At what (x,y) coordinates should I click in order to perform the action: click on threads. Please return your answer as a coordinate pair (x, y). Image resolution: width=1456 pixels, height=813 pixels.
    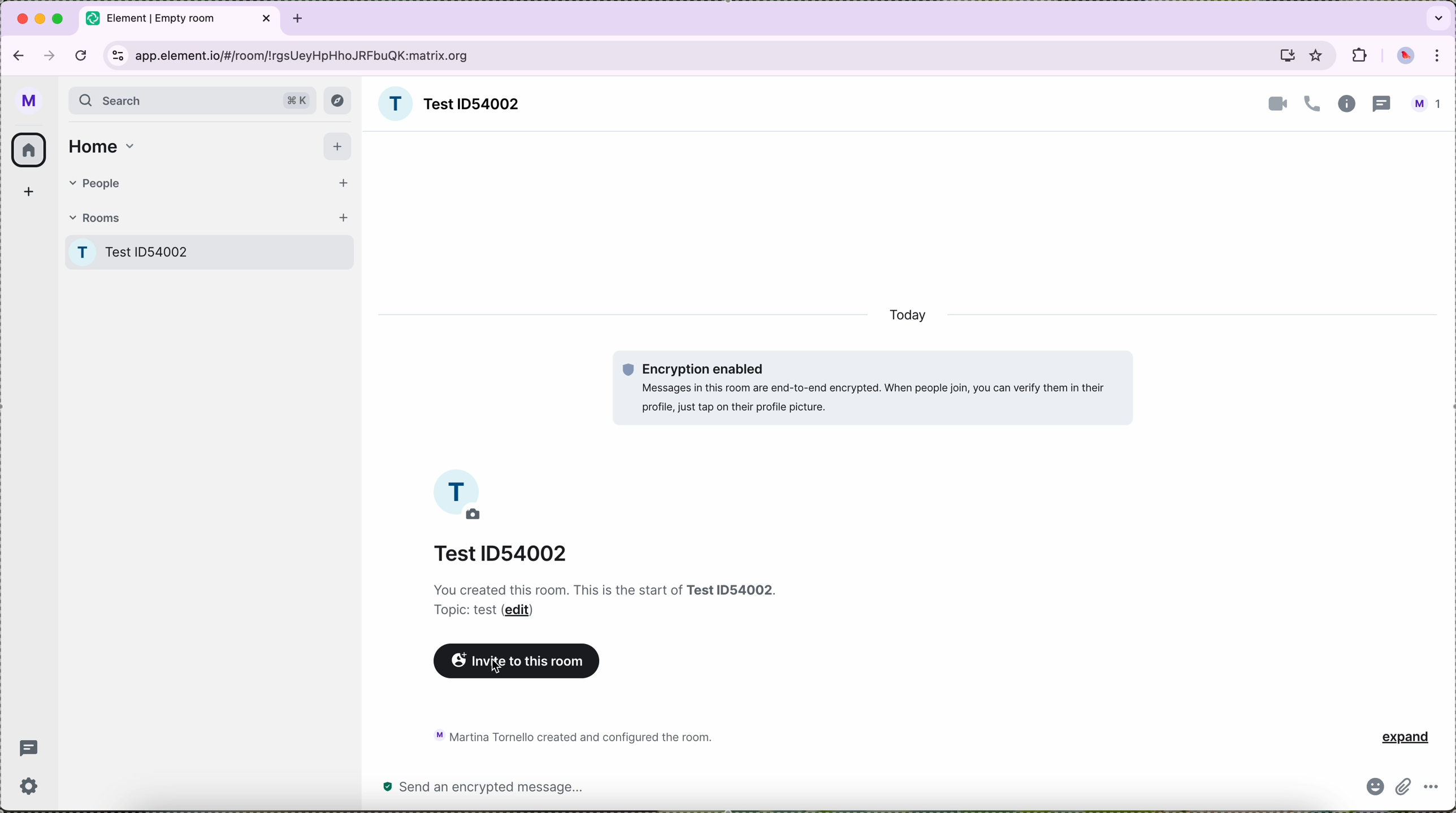
    Looking at the image, I should click on (1382, 103).